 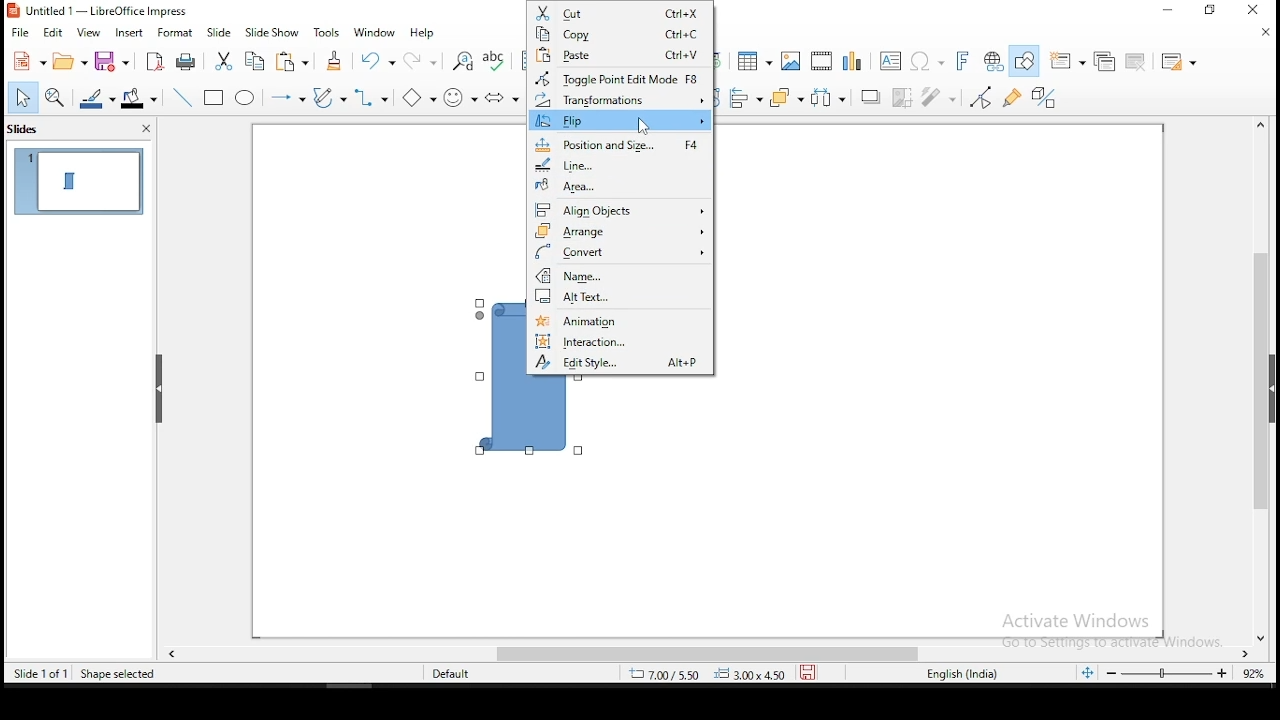 I want to click on name, so click(x=619, y=275).